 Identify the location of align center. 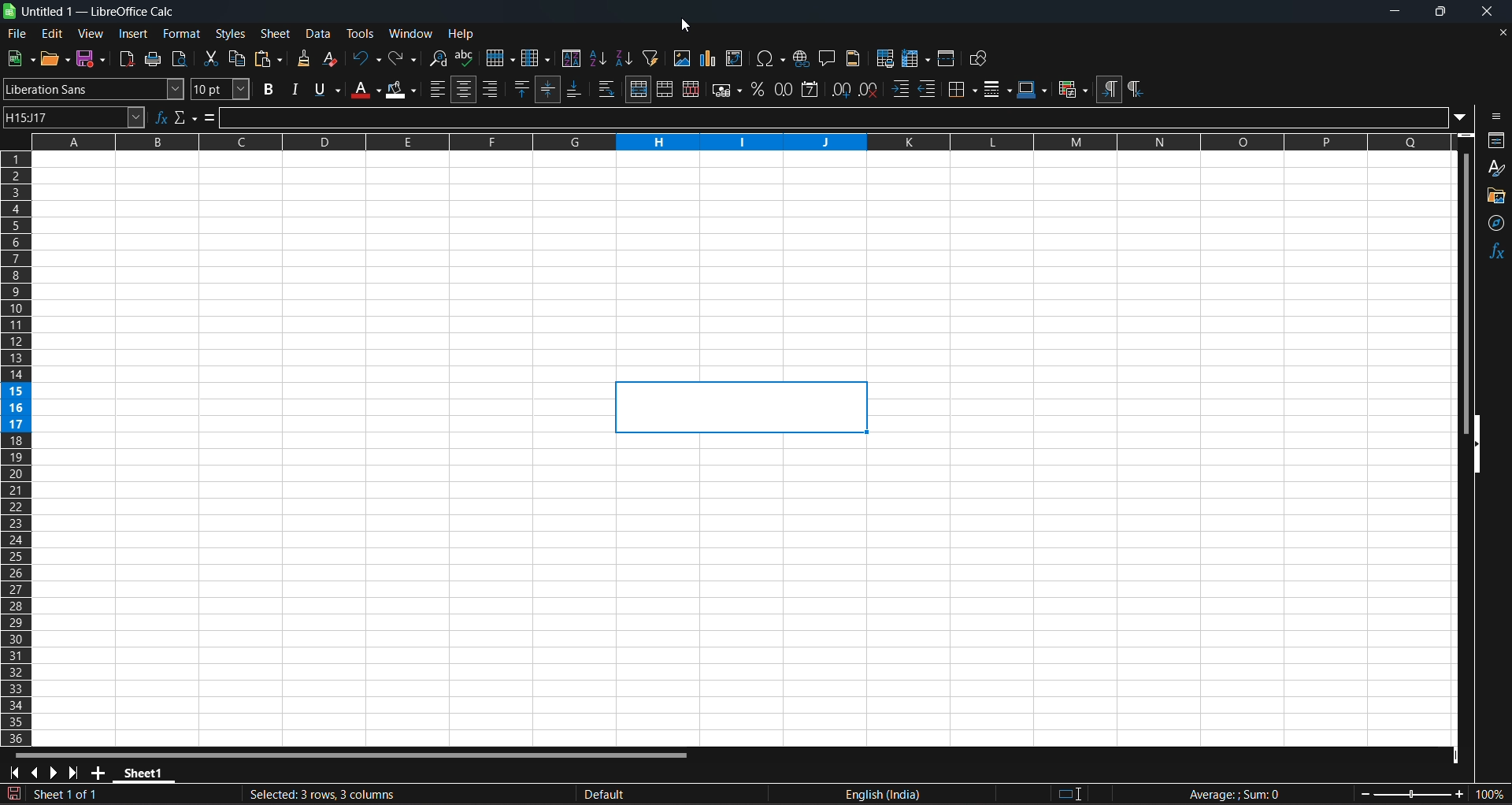
(467, 88).